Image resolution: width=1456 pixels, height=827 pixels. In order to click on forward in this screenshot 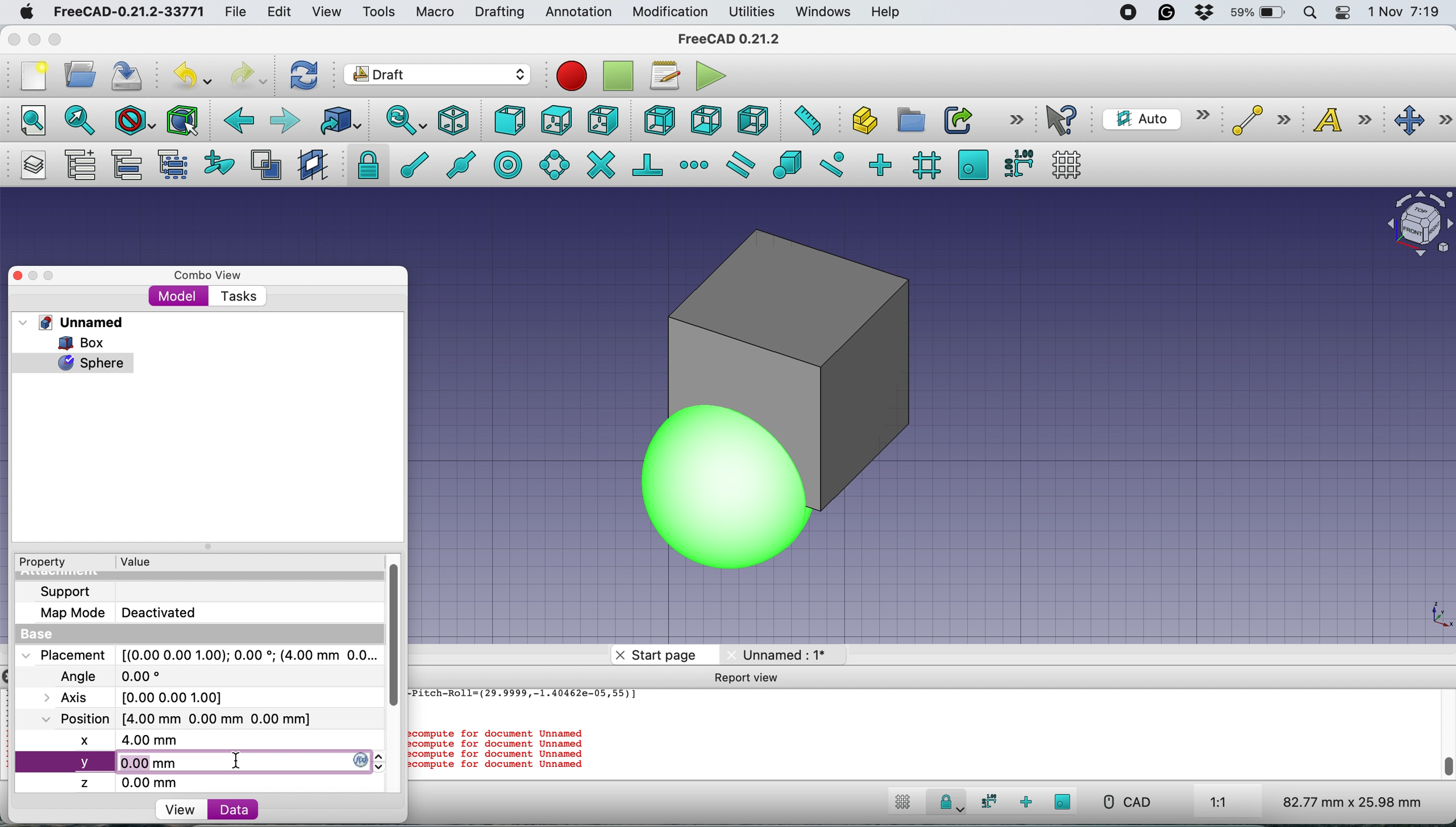, I will do `click(284, 120)`.